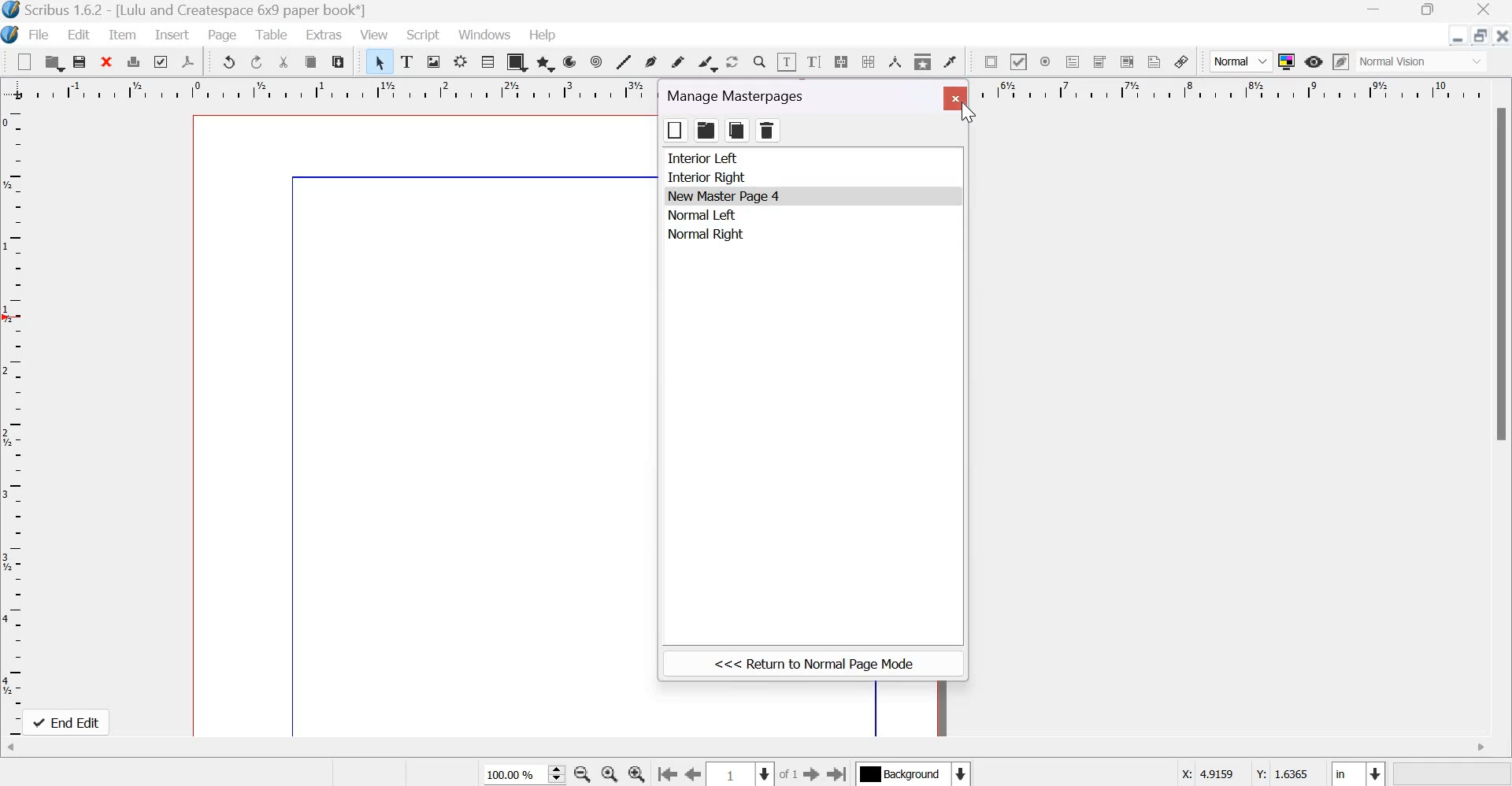 The height and width of the screenshot is (786, 1512). What do you see at coordinates (728, 196) in the screenshot?
I see `New Master Page 4` at bounding box center [728, 196].